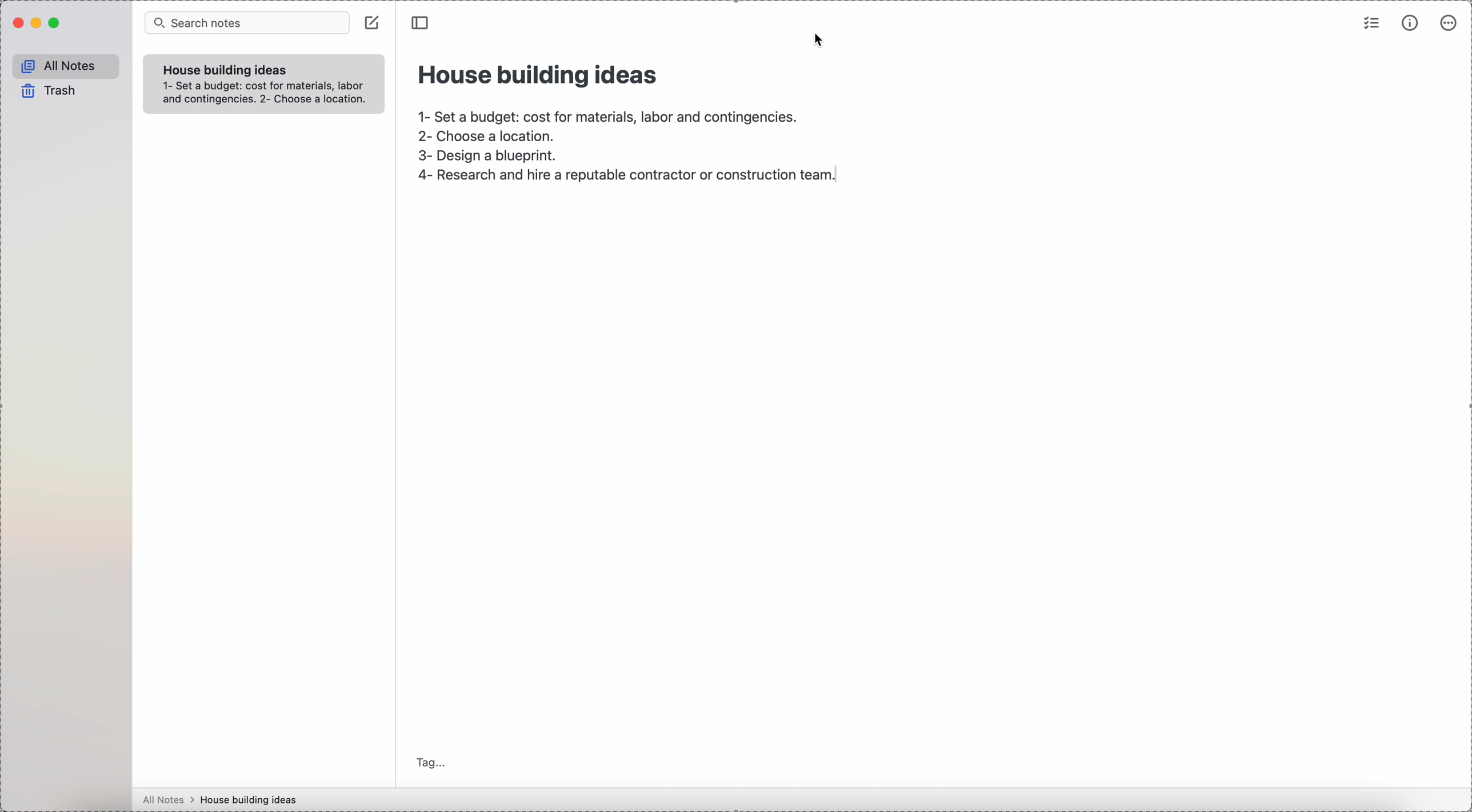 The image size is (1472, 812). I want to click on all notes, so click(66, 66).